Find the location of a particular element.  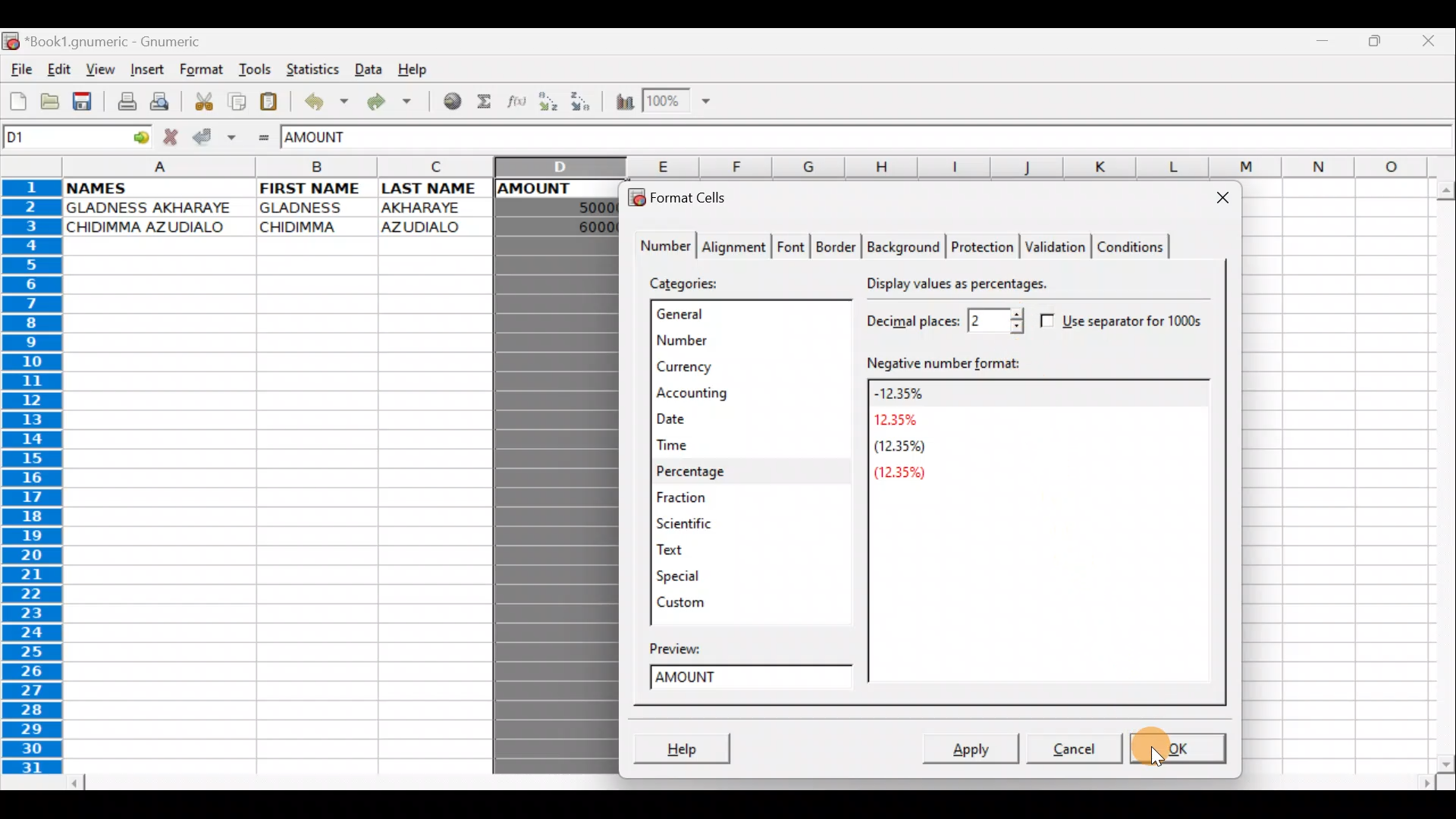

Display values as percentages. is located at coordinates (960, 287).